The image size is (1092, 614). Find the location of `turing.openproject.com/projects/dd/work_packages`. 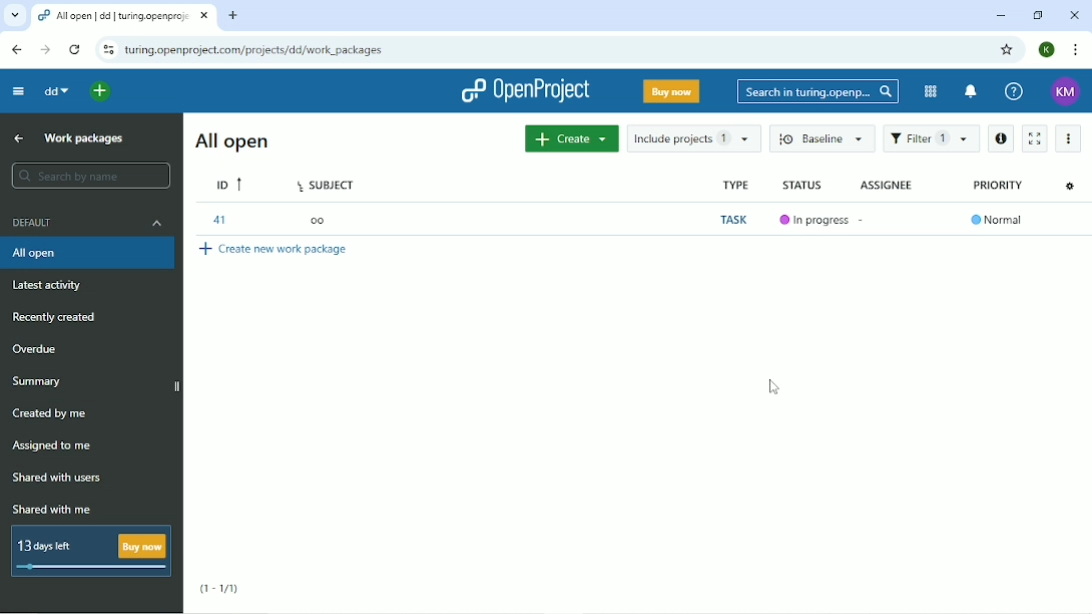

turing.openproject.com/projects/dd/work_packages is located at coordinates (256, 49).